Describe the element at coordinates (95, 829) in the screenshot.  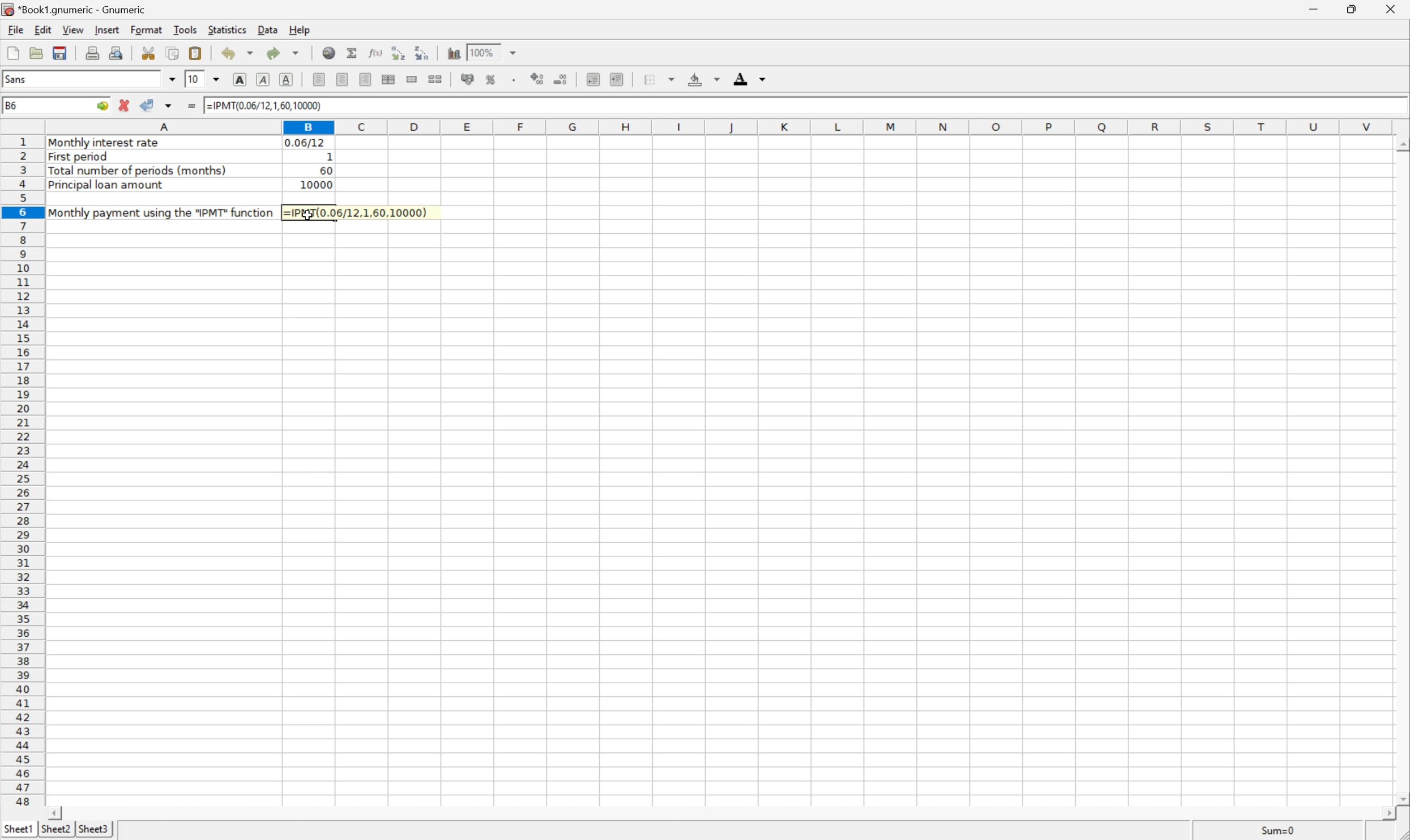
I see `Sheet3` at that location.